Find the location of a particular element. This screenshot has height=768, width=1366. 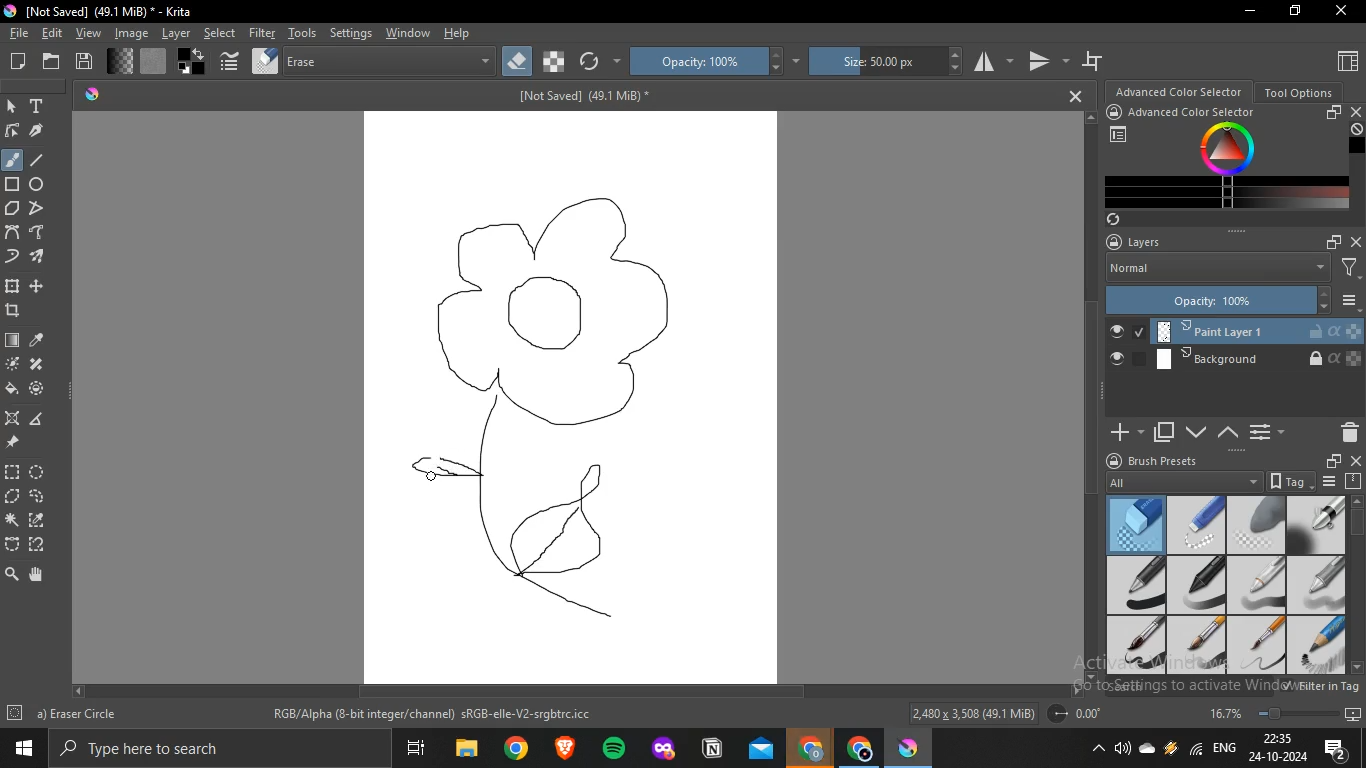

vertical mirror tool is located at coordinates (1045, 65).